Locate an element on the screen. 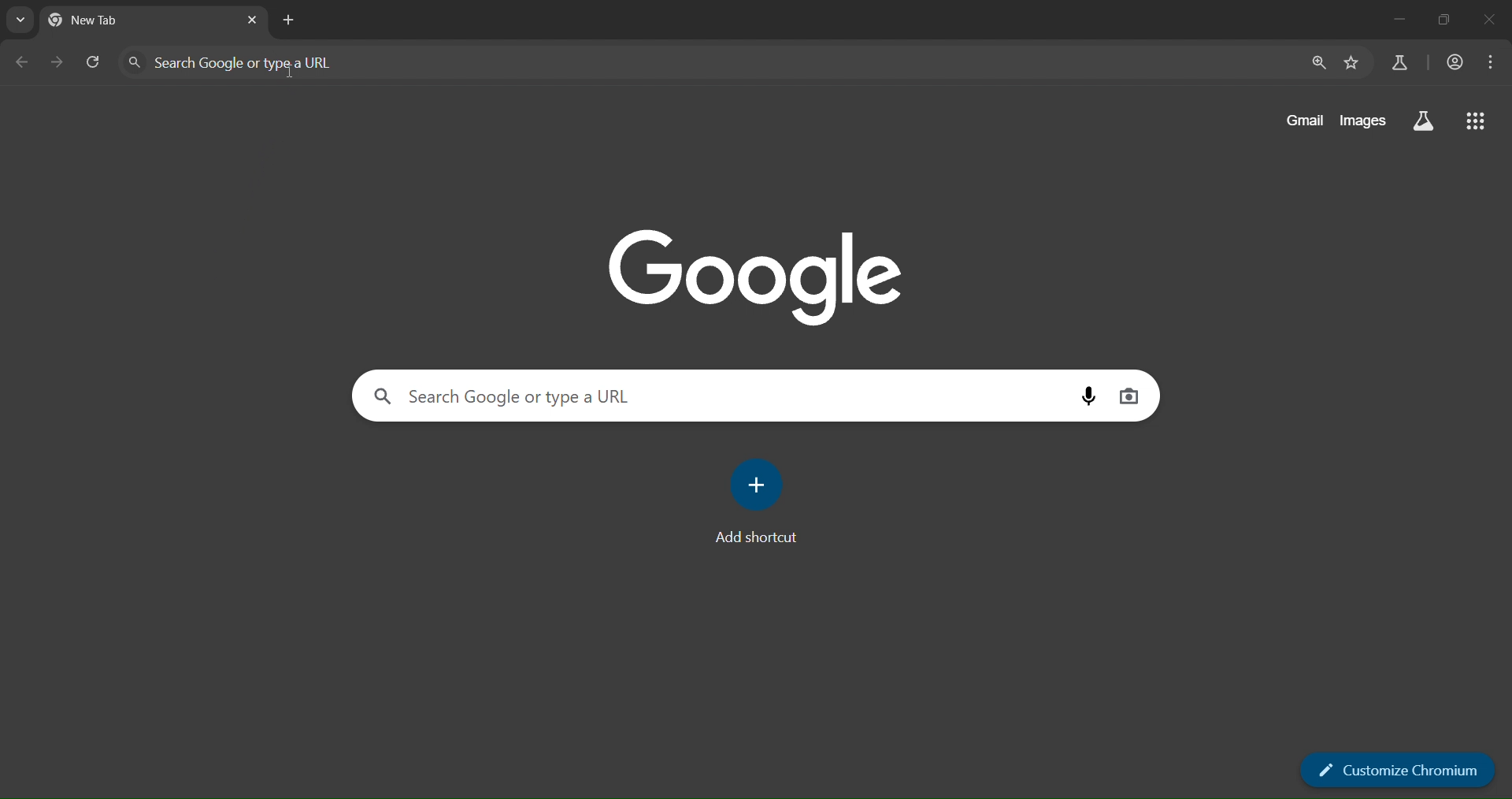 This screenshot has height=799, width=1512. search labs is located at coordinates (1397, 61).